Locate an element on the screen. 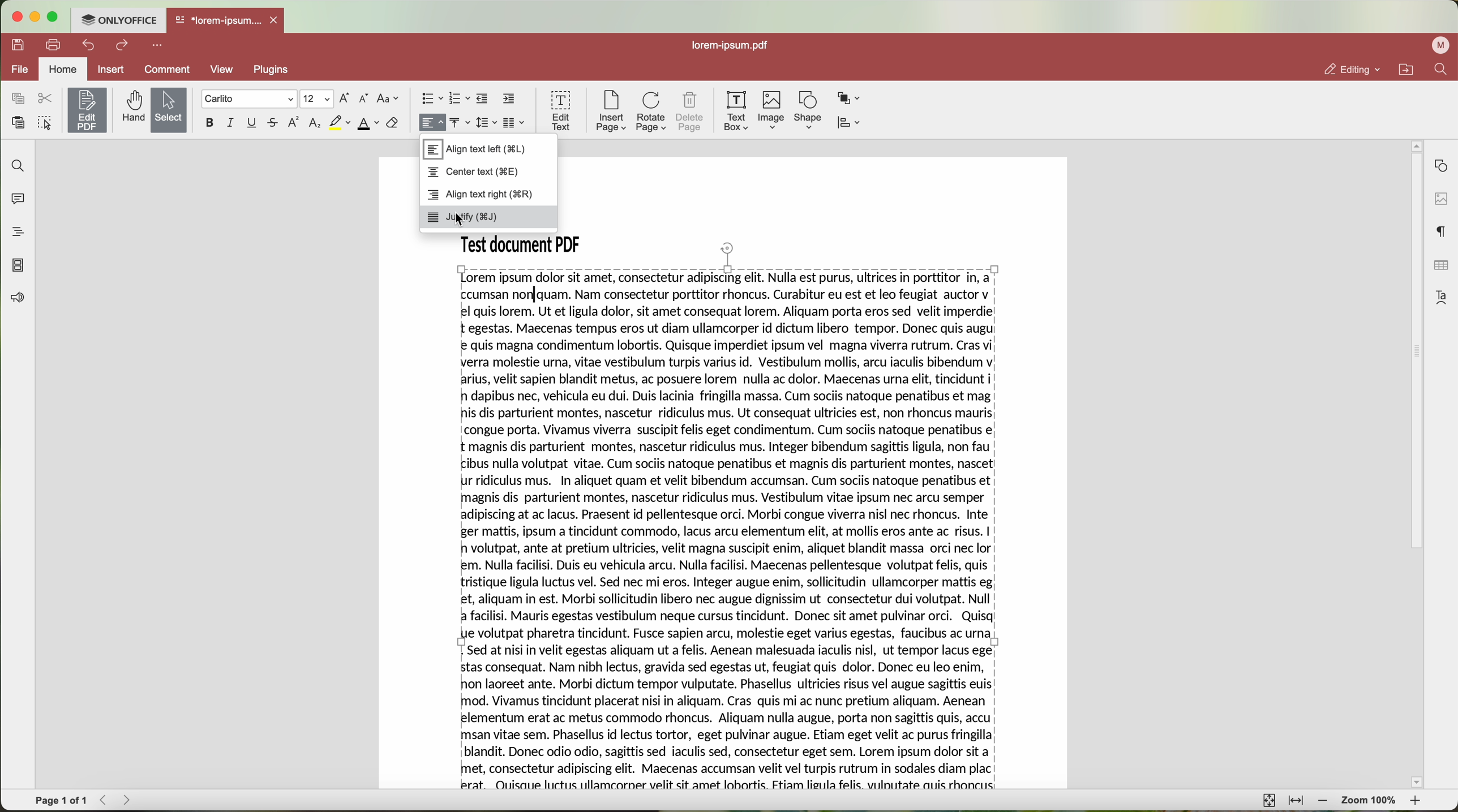 The image size is (1458, 812). text box is located at coordinates (736, 112).